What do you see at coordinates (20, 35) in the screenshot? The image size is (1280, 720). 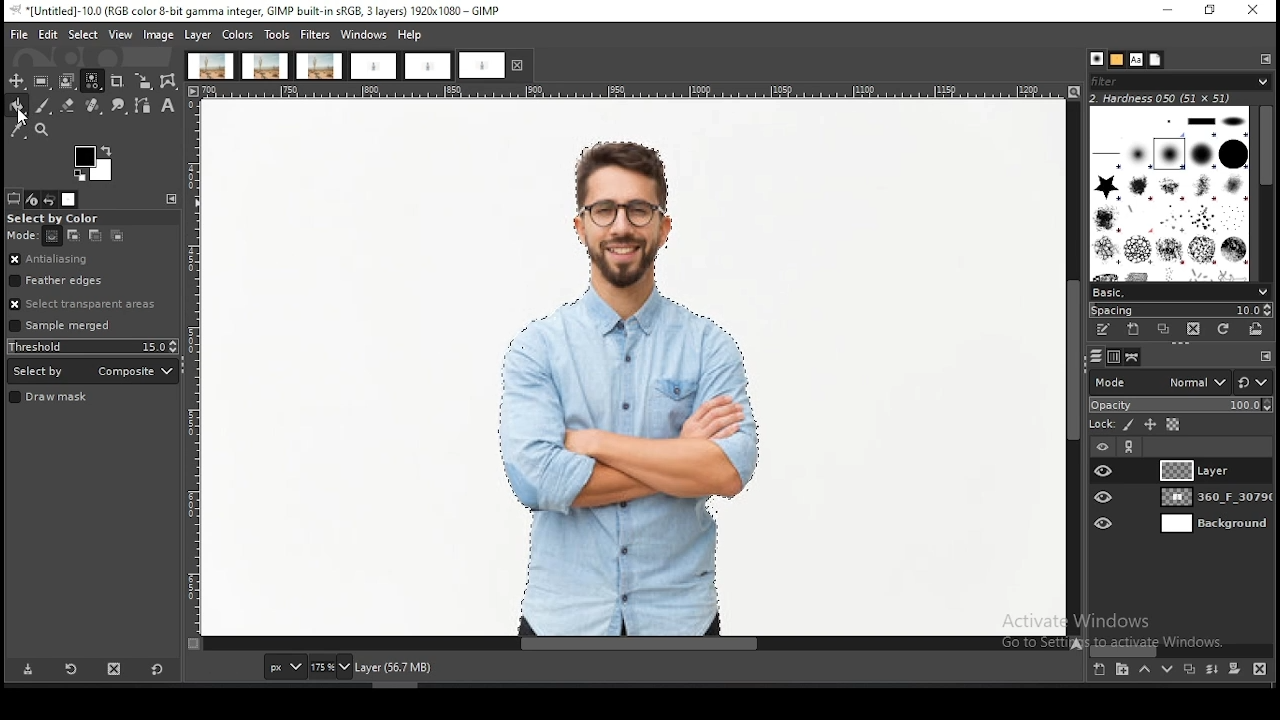 I see `file` at bounding box center [20, 35].